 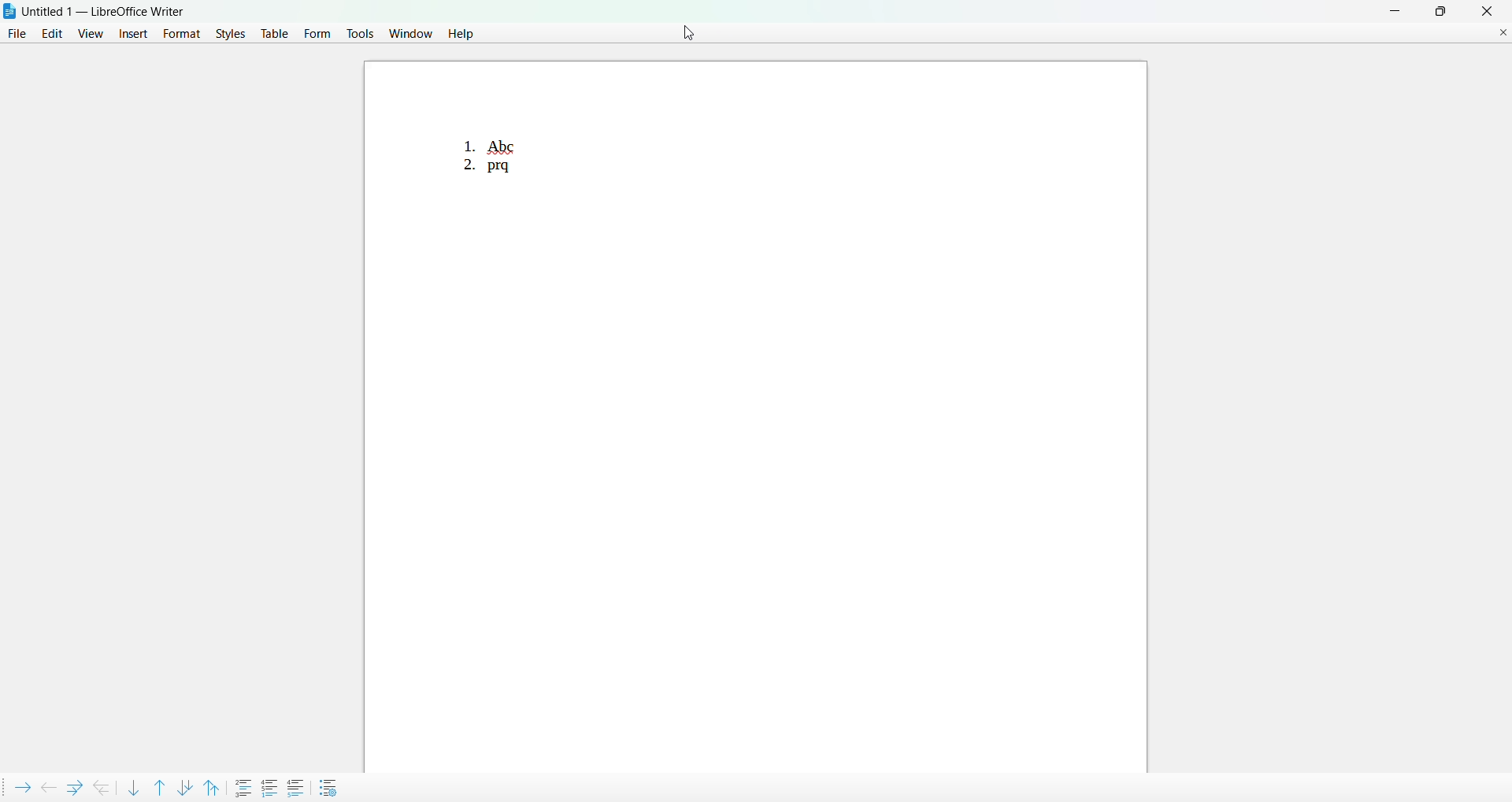 I want to click on minimize, so click(x=1391, y=10).